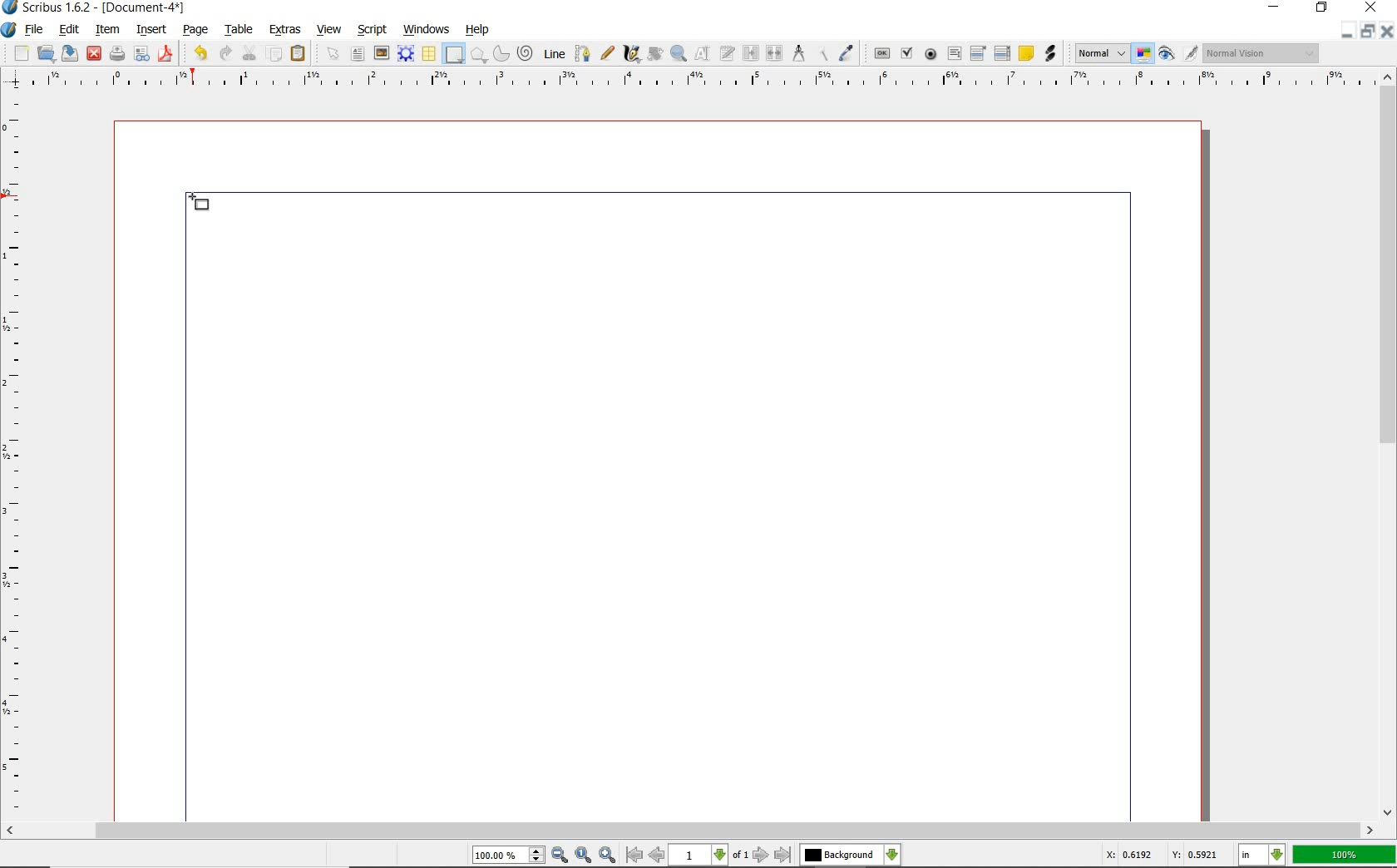 This screenshot has width=1397, height=868. I want to click on restore, so click(1321, 9).